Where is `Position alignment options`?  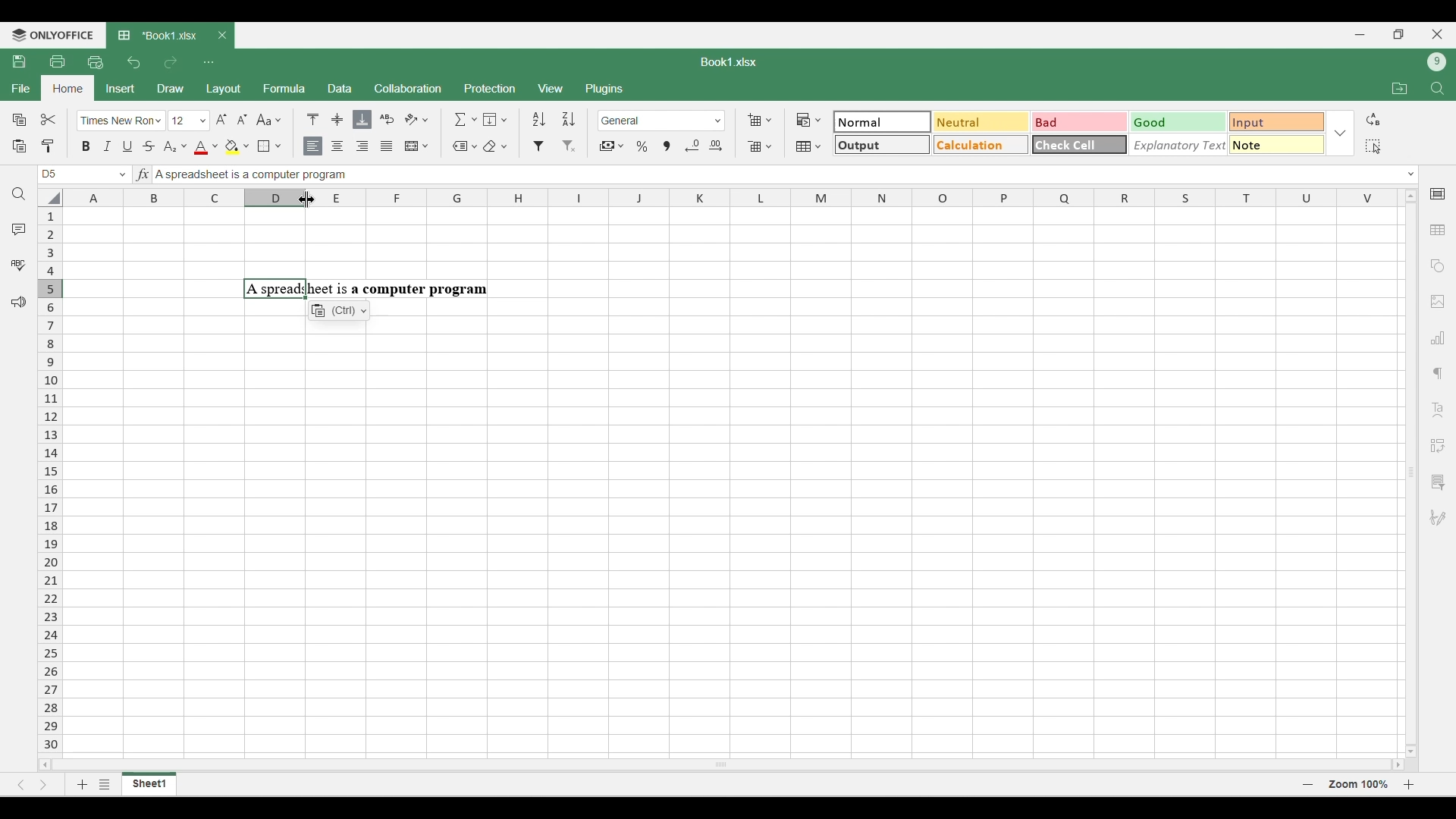 Position alignment options is located at coordinates (337, 119).